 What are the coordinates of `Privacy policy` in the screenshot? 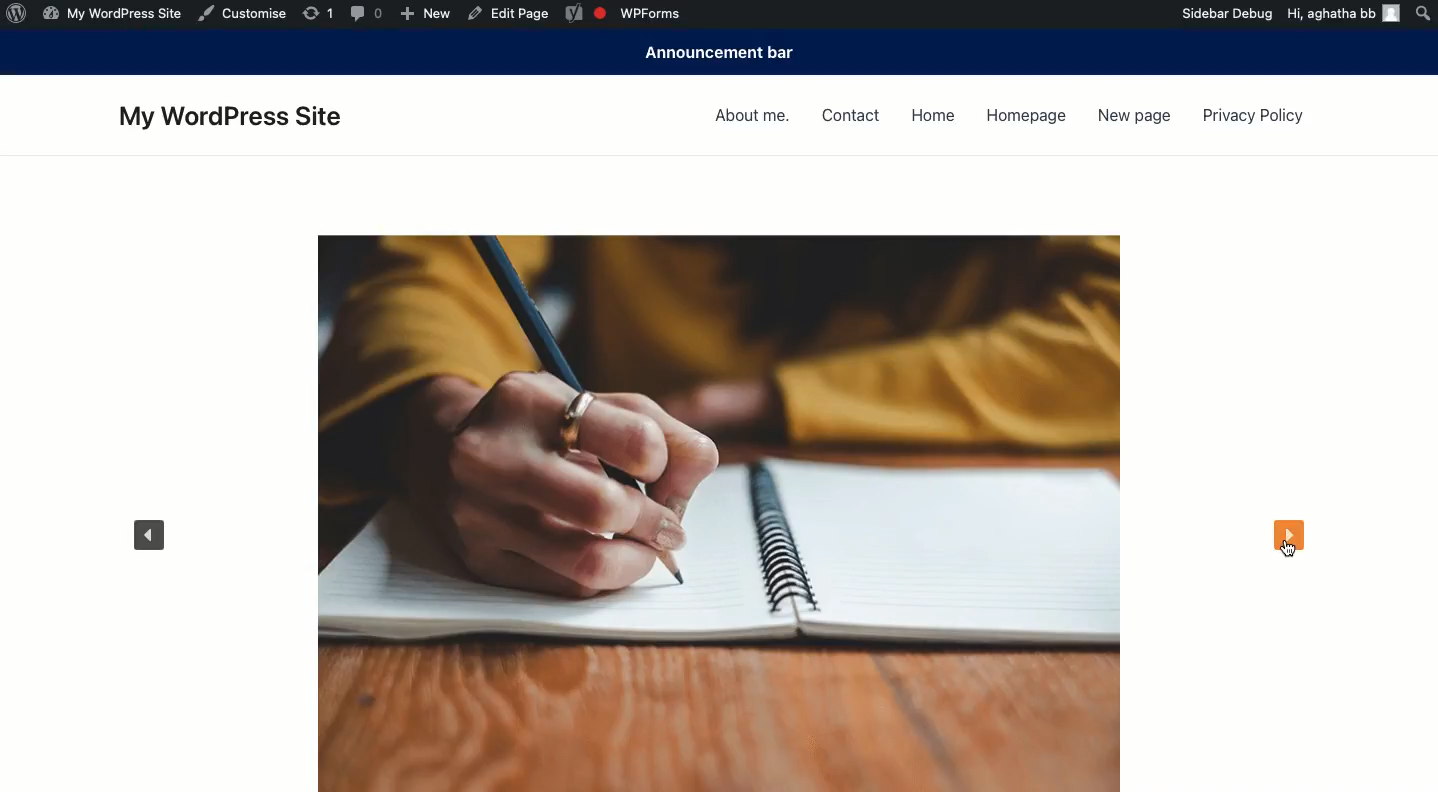 It's located at (1246, 117).